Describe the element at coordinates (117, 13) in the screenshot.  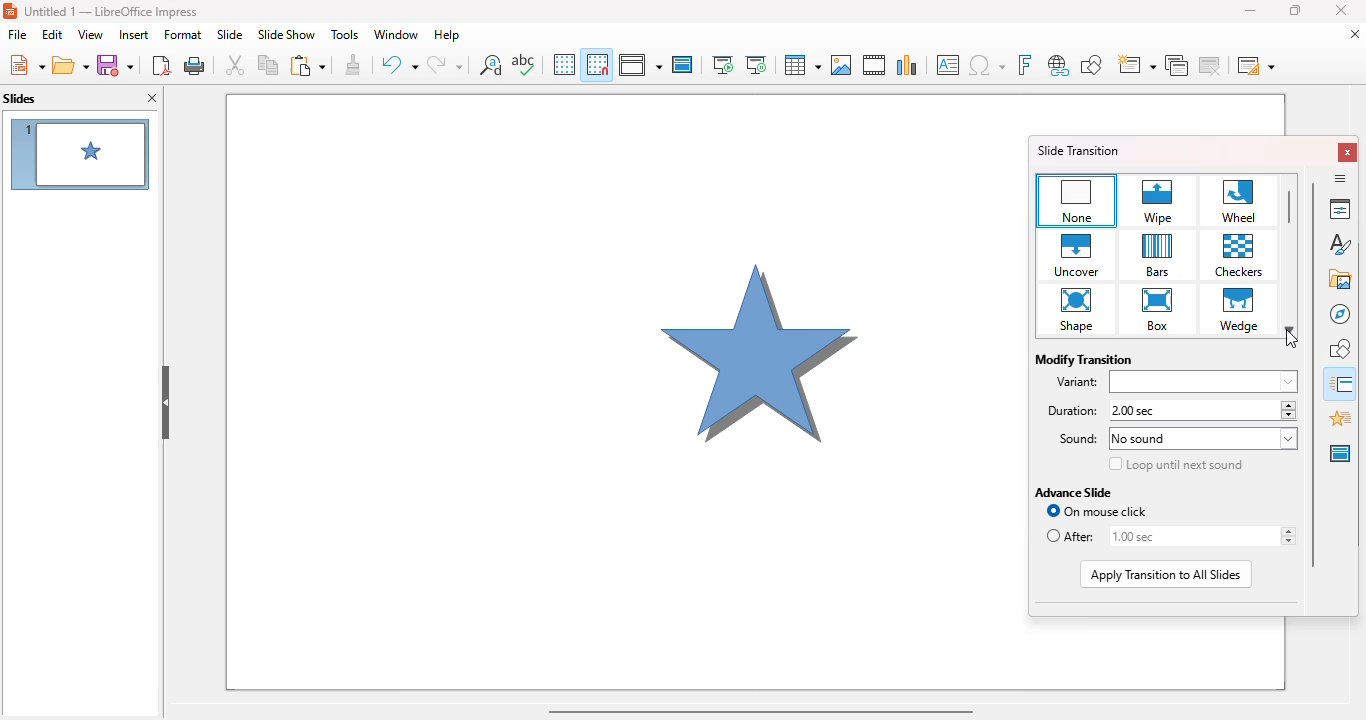
I see `Untitled 1 — LibreOffice Impress` at that location.